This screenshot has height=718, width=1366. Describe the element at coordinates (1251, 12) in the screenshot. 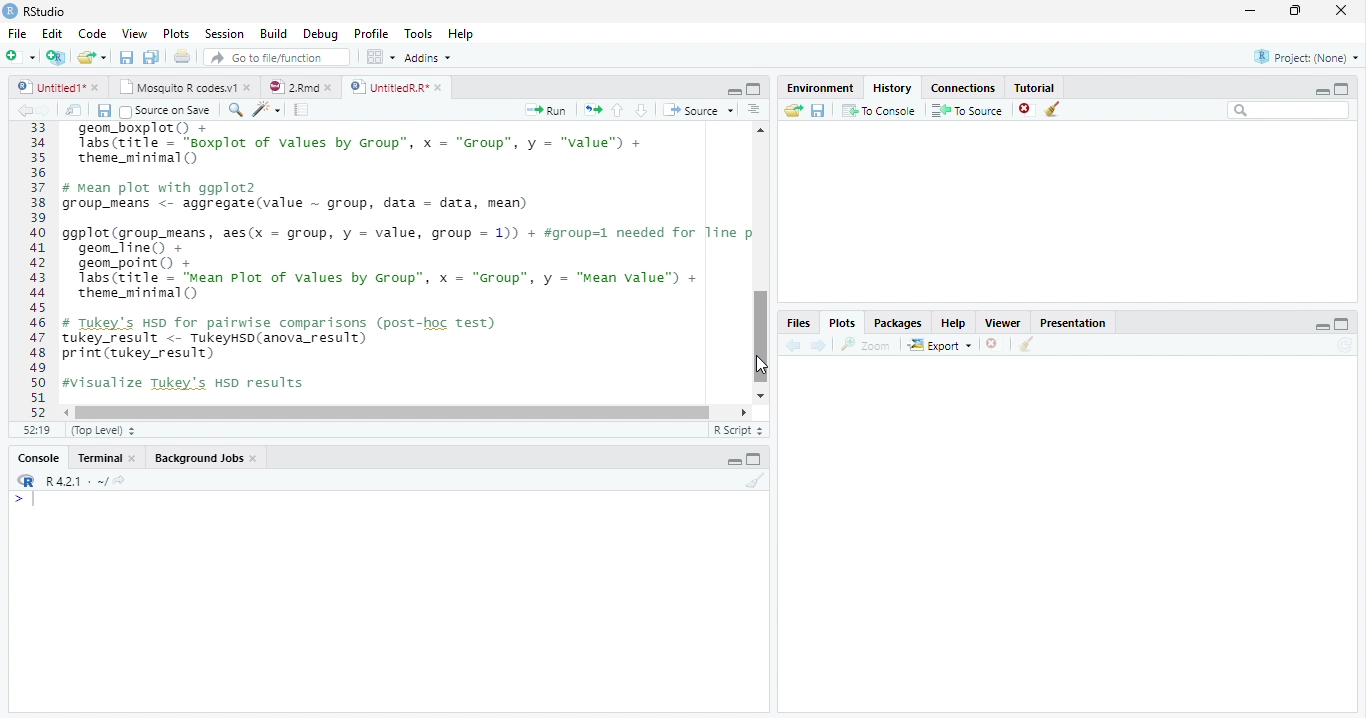

I see `Minimize` at that location.